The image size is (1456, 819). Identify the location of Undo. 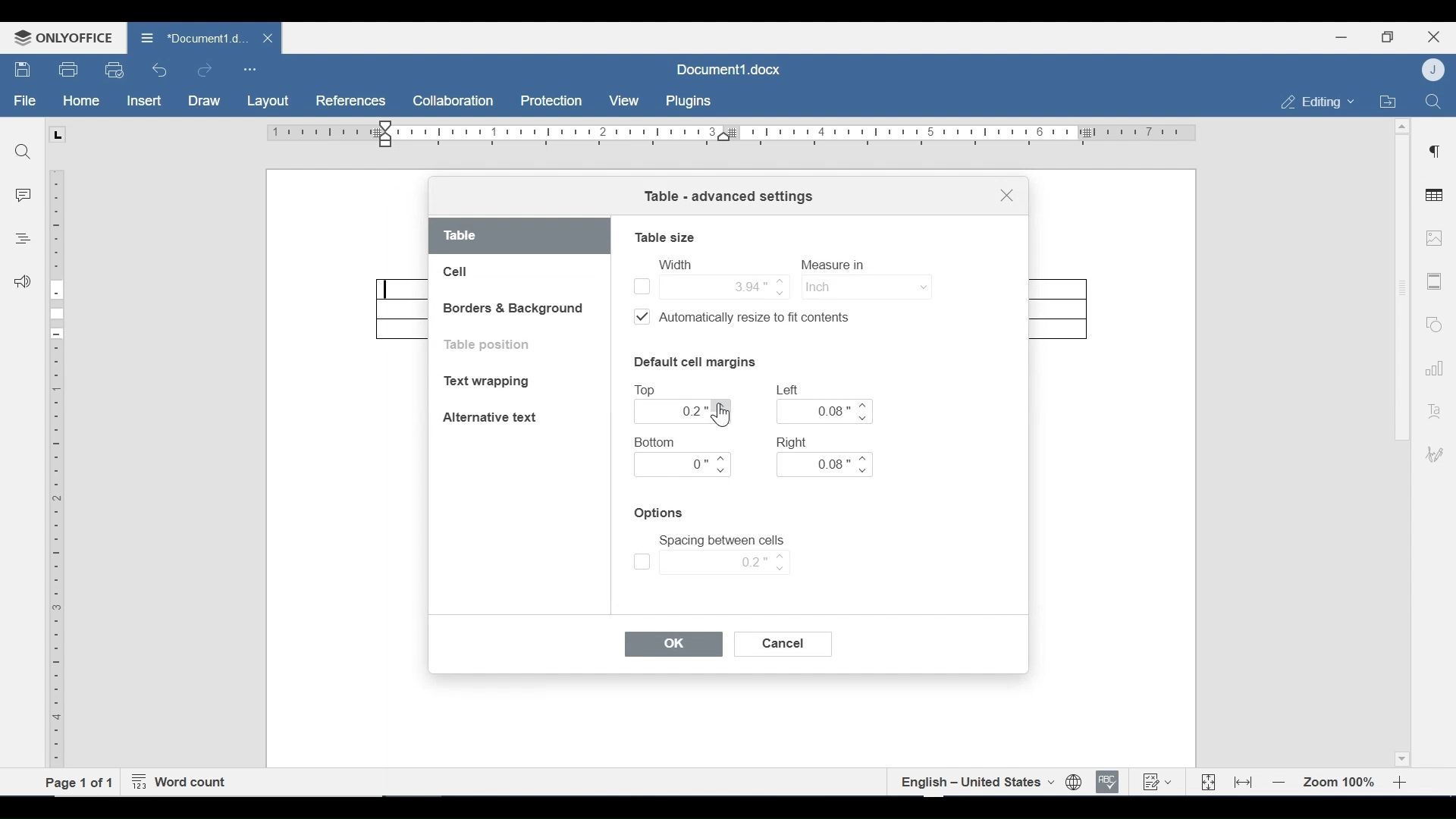
(160, 70).